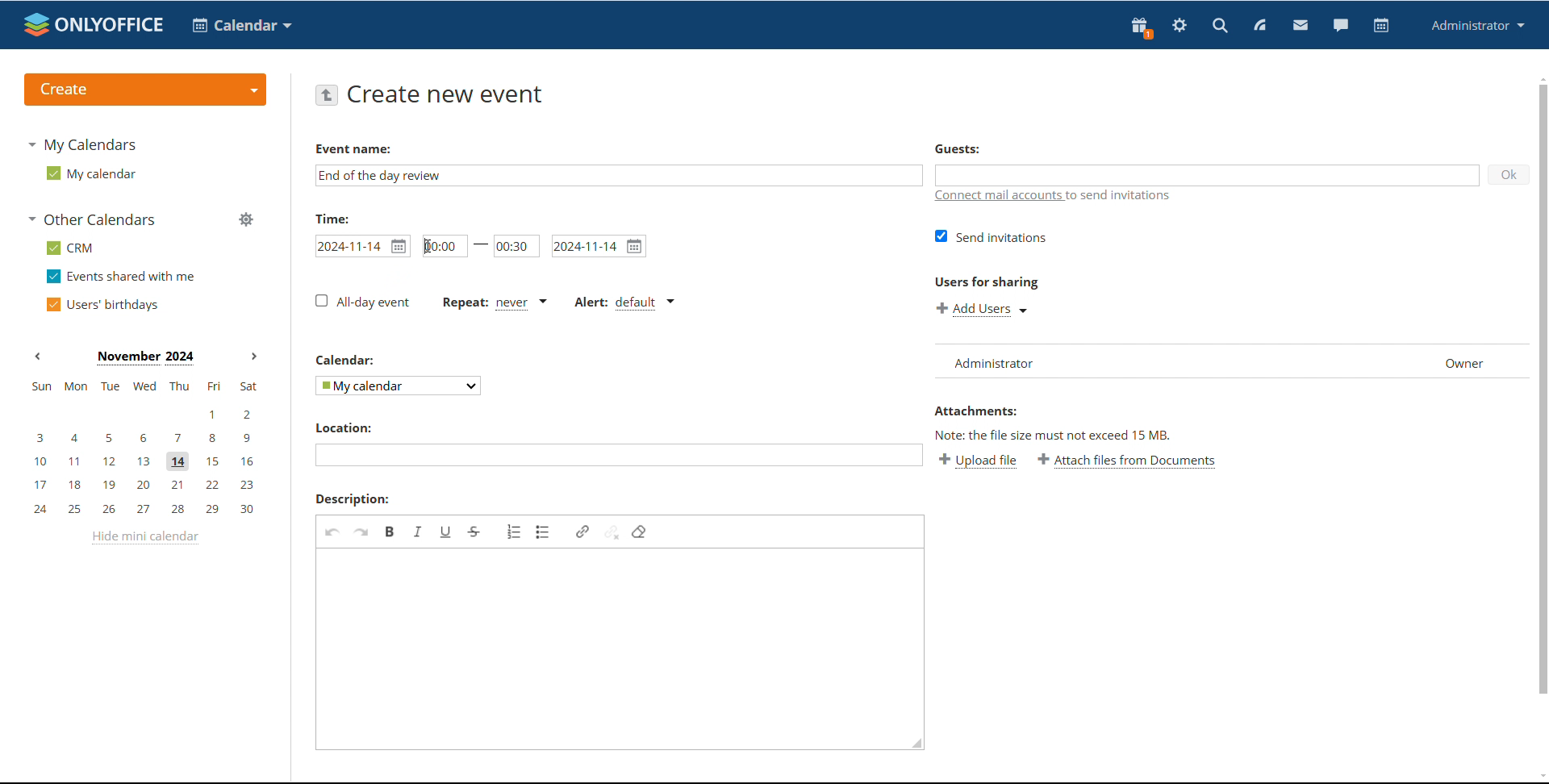  What do you see at coordinates (1259, 25) in the screenshot?
I see `feed` at bounding box center [1259, 25].